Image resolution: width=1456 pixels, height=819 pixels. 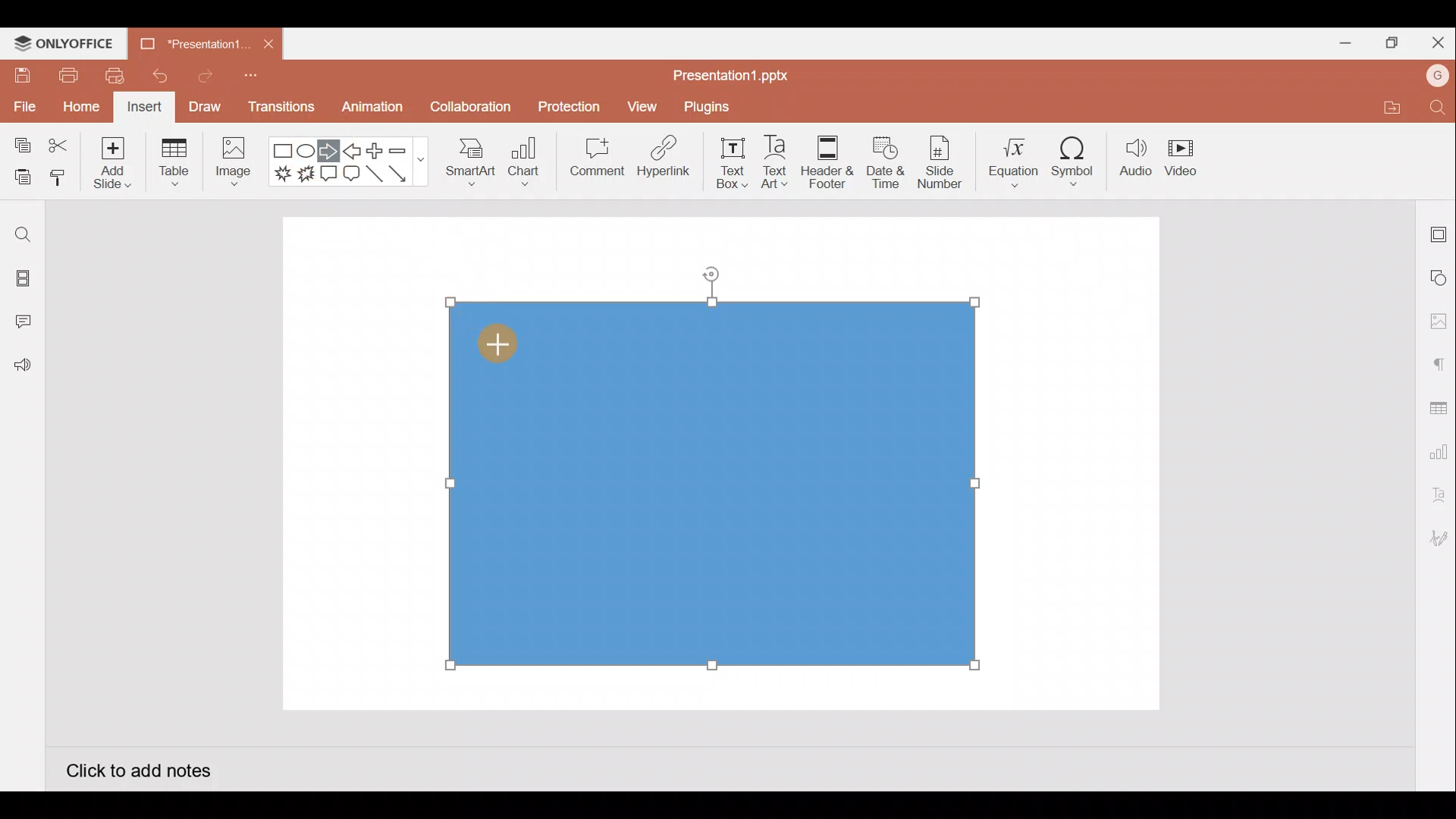 I want to click on File, so click(x=23, y=104).